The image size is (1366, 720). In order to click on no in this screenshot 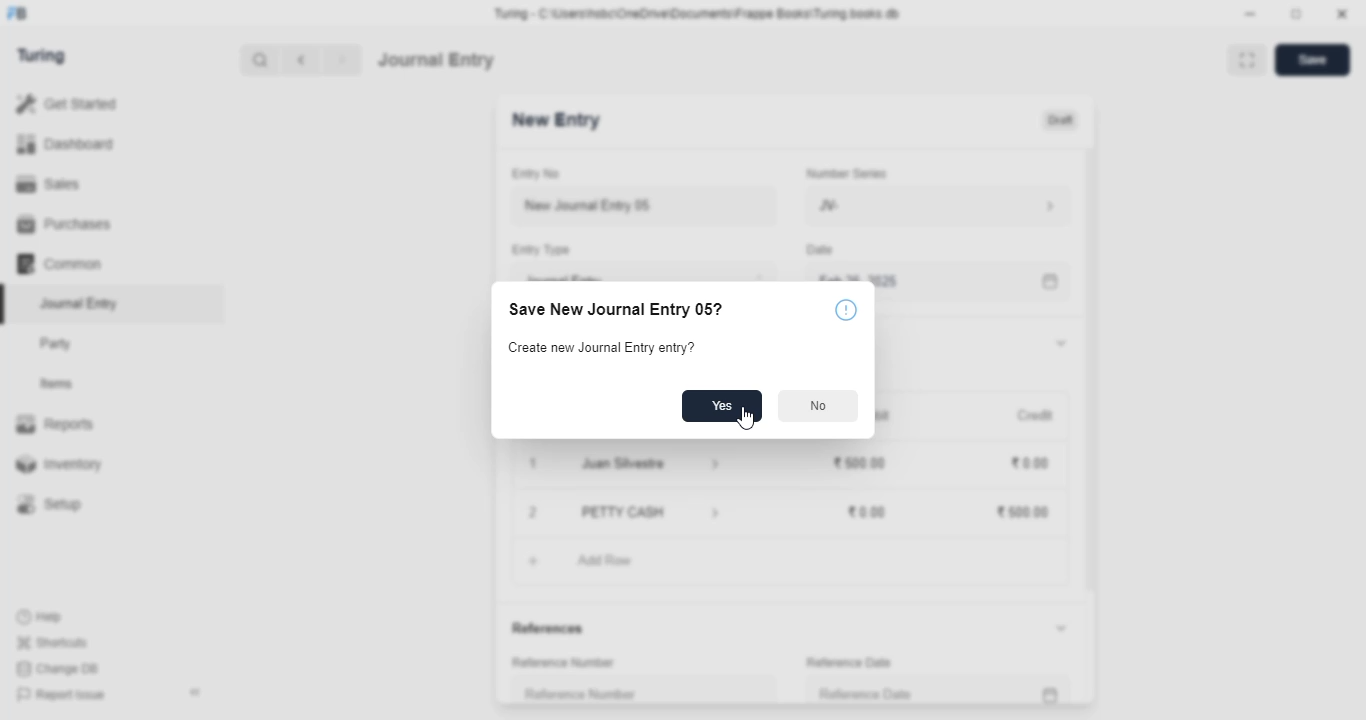, I will do `click(817, 406)`.